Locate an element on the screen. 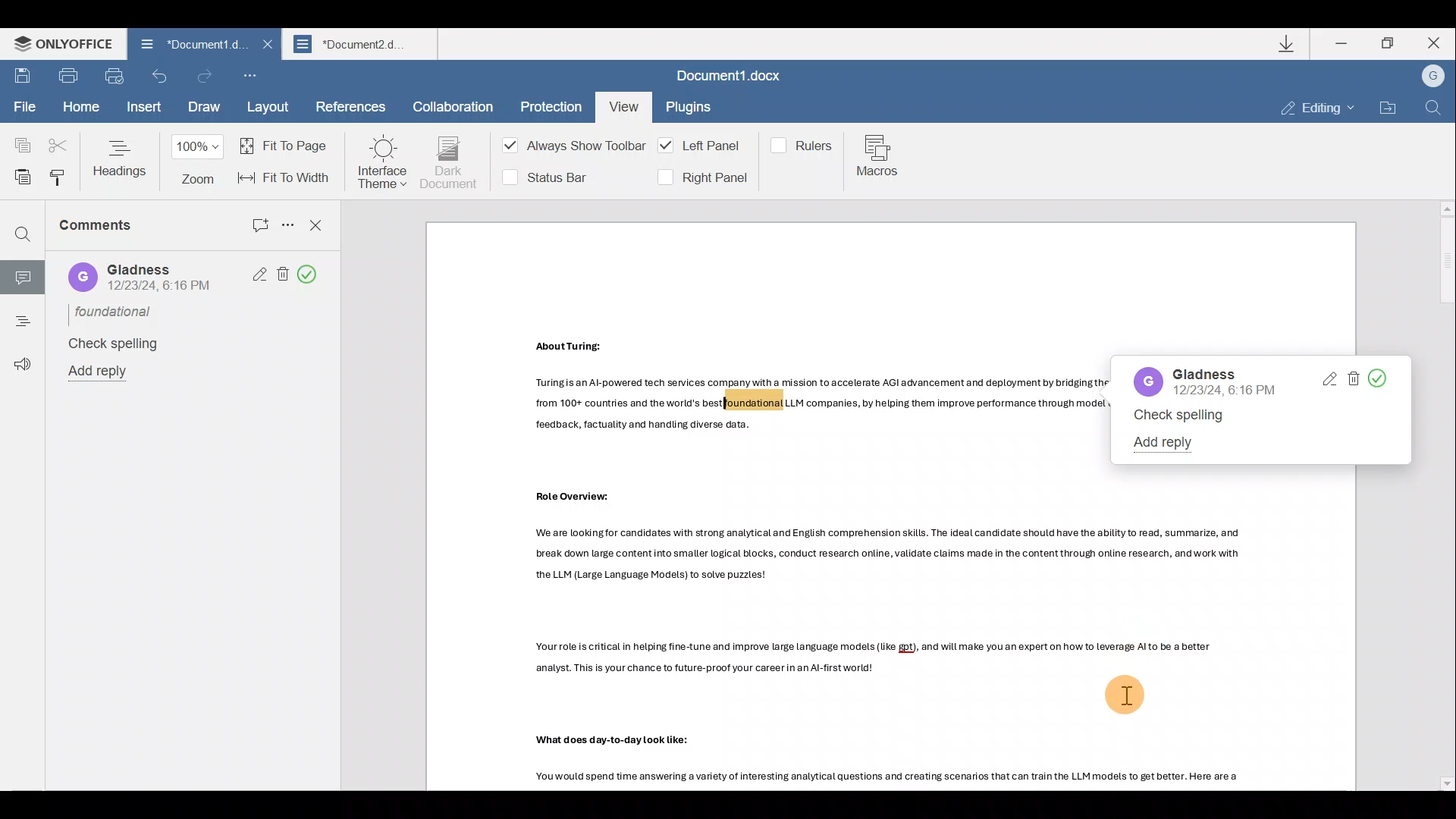  Close is located at coordinates (1439, 45).